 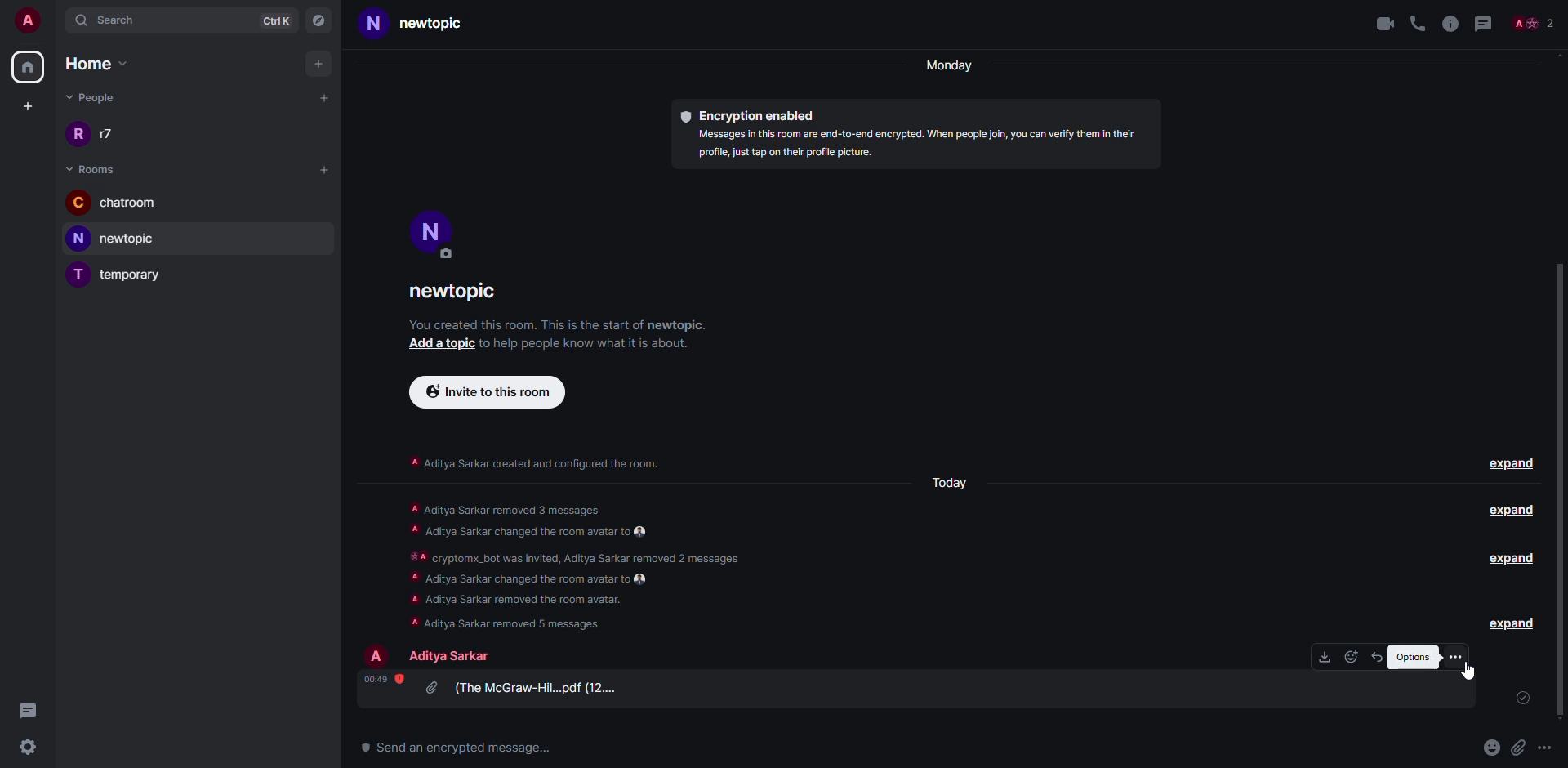 I want to click on expand, so click(x=1516, y=465).